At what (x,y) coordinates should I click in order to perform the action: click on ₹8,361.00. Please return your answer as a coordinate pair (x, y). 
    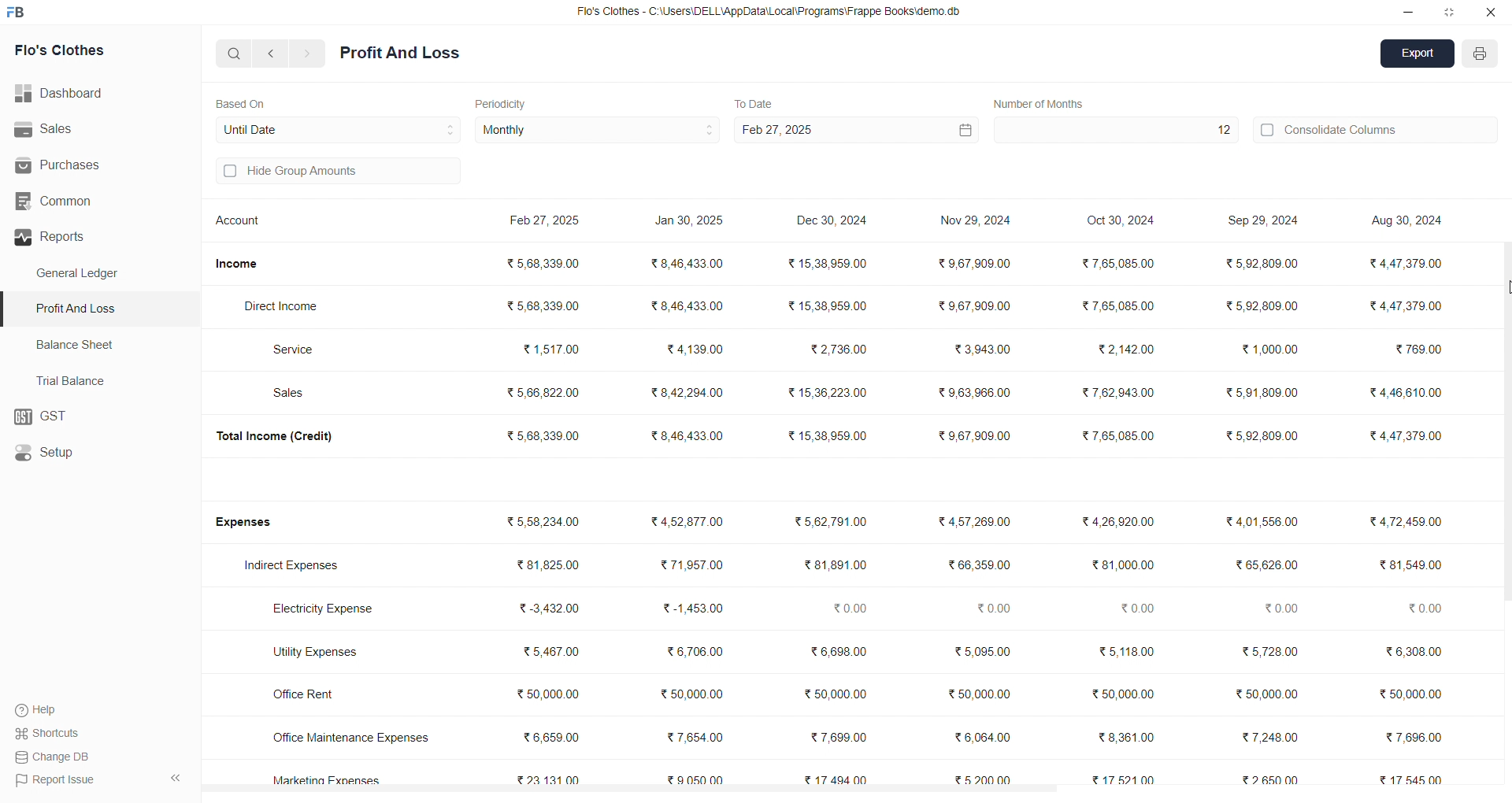
    Looking at the image, I should click on (1128, 738).